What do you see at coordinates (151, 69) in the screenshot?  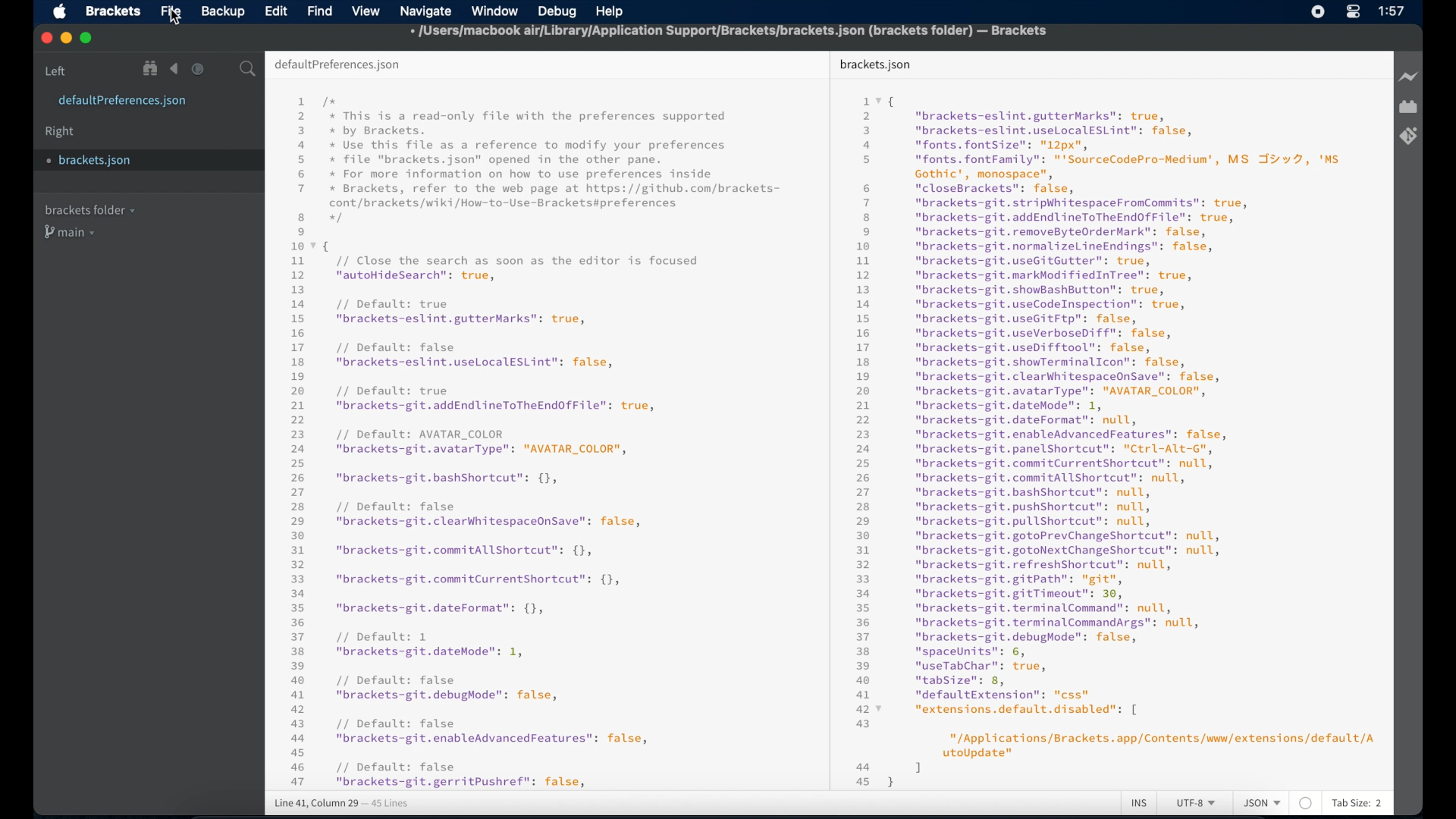 I see `show file in tree` at bounding box center [151, 69].